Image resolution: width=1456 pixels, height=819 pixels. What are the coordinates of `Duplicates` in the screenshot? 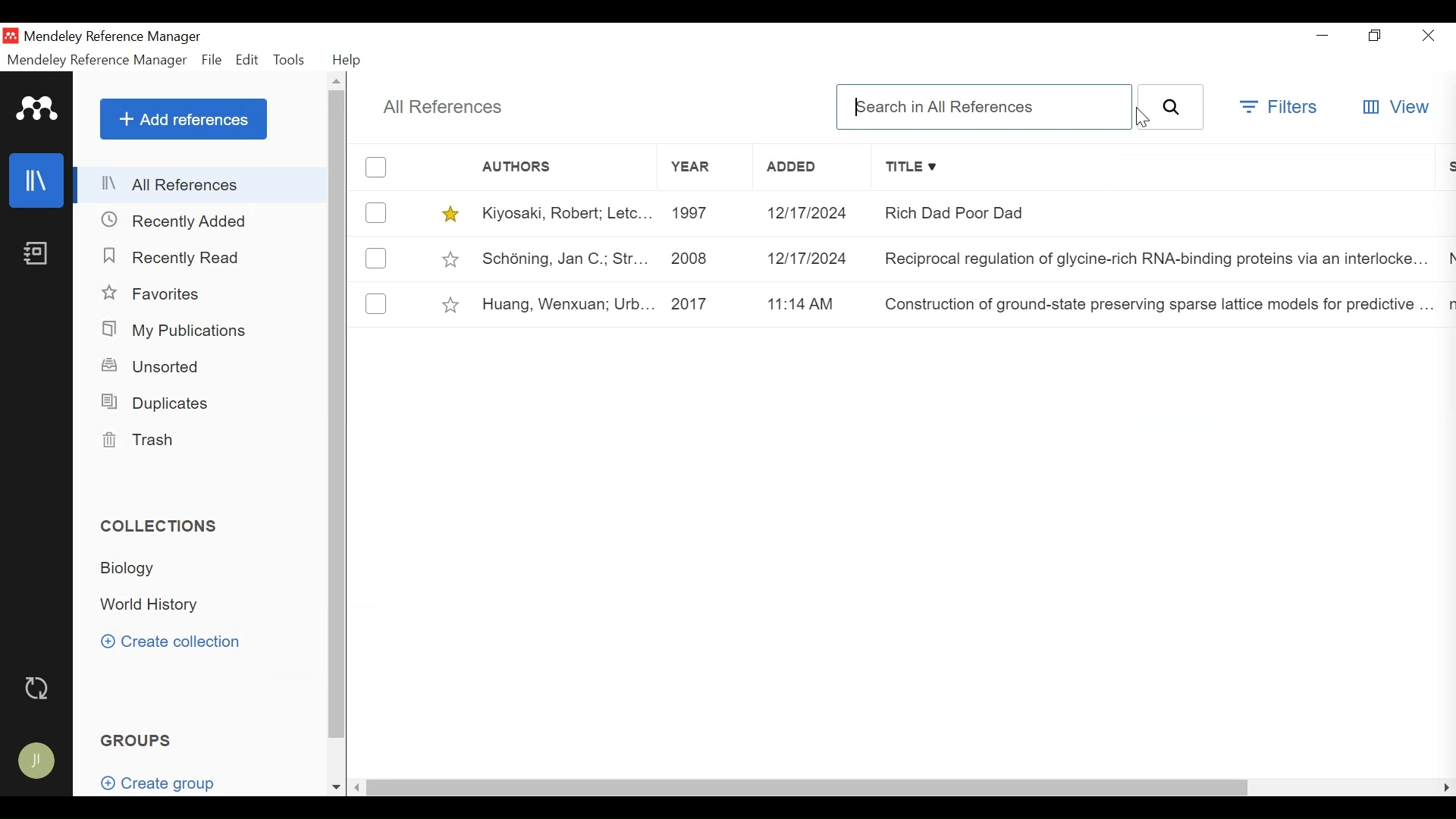 It's located at (158, 401).